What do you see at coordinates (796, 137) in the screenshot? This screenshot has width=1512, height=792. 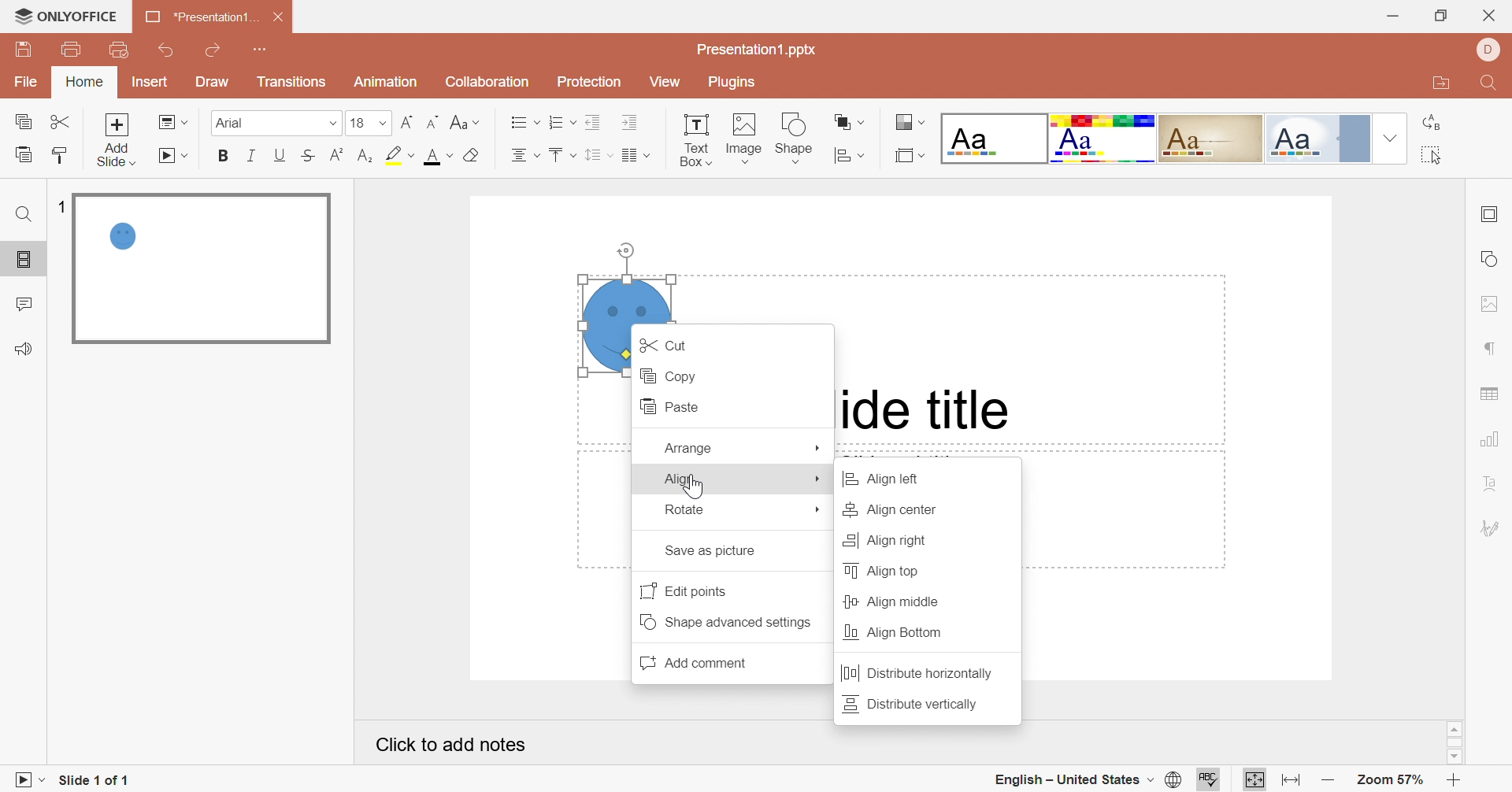 I see `Shape` at bounding box center [796, 137].